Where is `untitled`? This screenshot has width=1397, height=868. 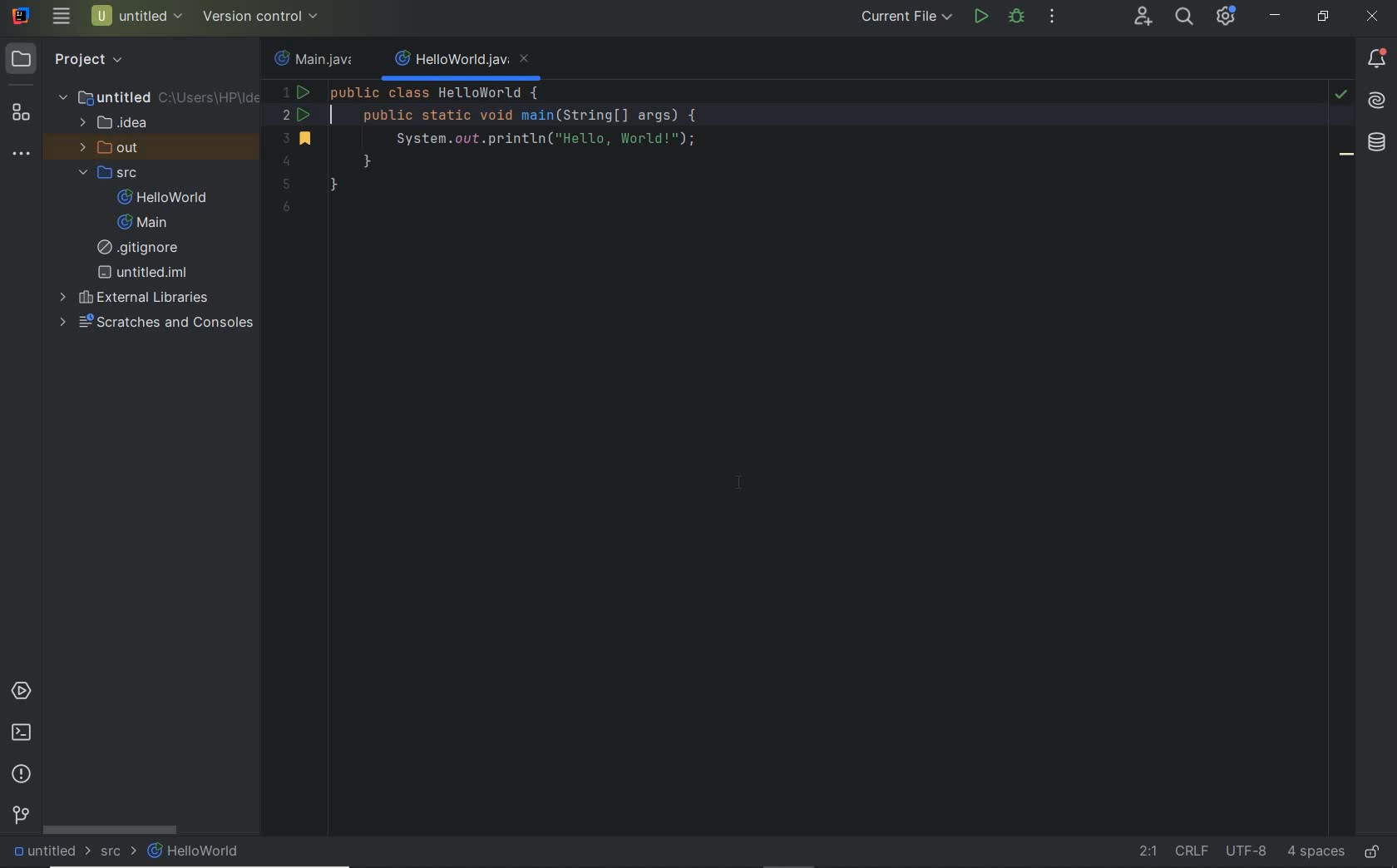
untitled is located at coordinates (48, 852).